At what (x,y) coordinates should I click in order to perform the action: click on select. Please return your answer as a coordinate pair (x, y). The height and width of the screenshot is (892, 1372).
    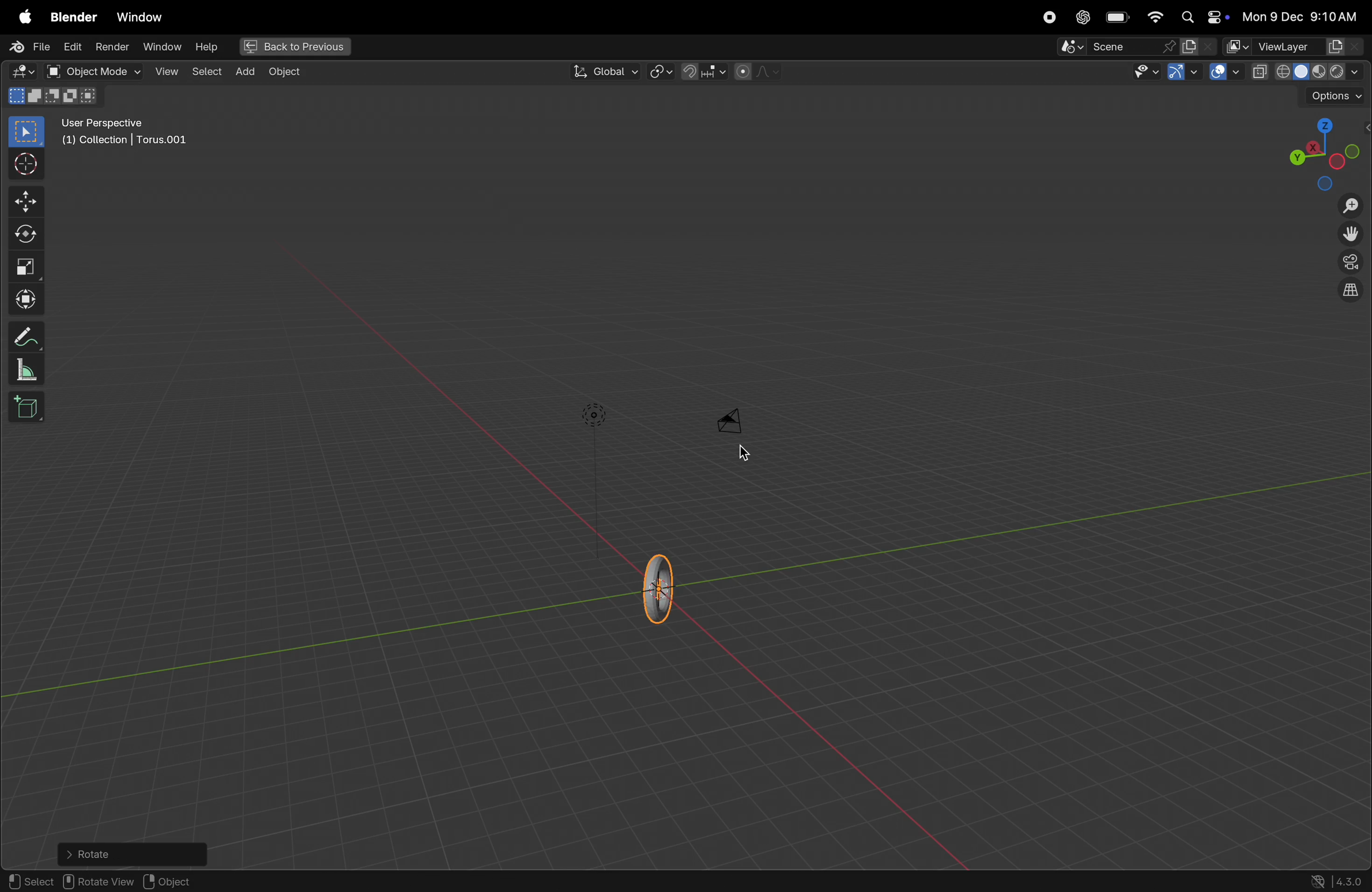
    Looking at the image, I should click on (205, 70).